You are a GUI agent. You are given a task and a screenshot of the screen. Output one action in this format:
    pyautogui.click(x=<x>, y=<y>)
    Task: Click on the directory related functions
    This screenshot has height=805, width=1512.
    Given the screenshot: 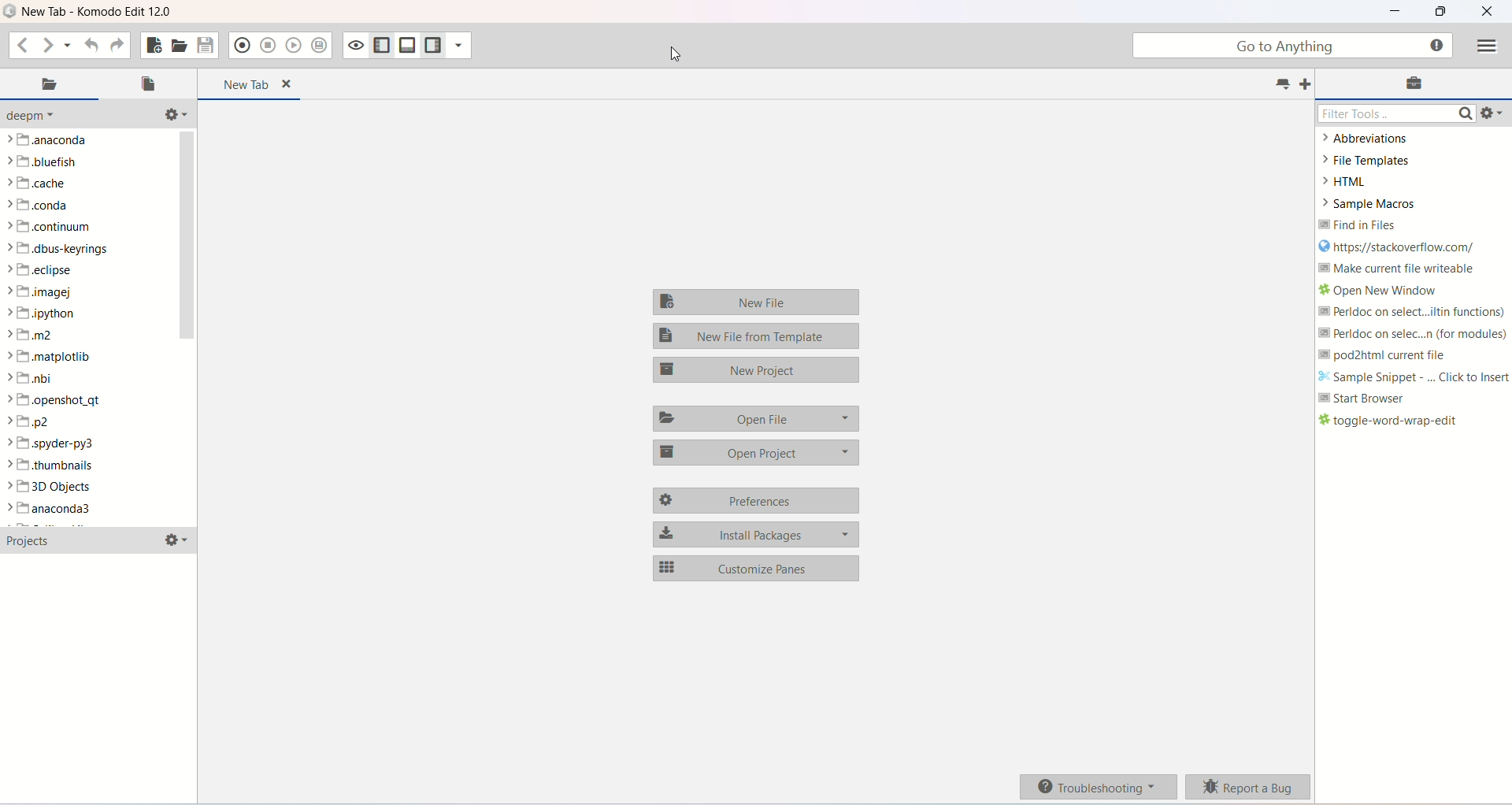 What is the action you would take?
    pyautogui.click(x=173, y=116)
    